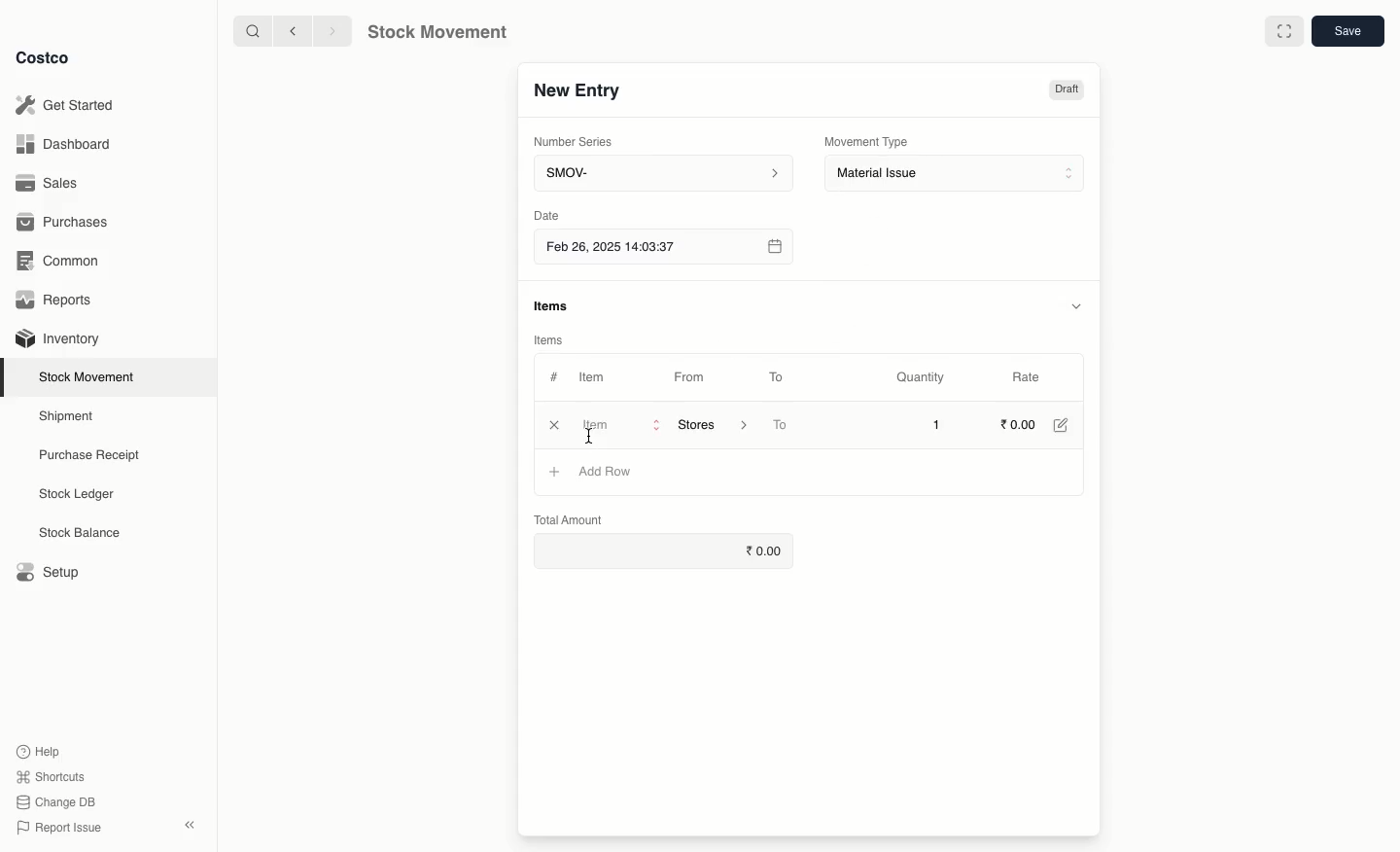  Describe the element at coordinates (255, 32) in the screenshot. I see `search` at that location.